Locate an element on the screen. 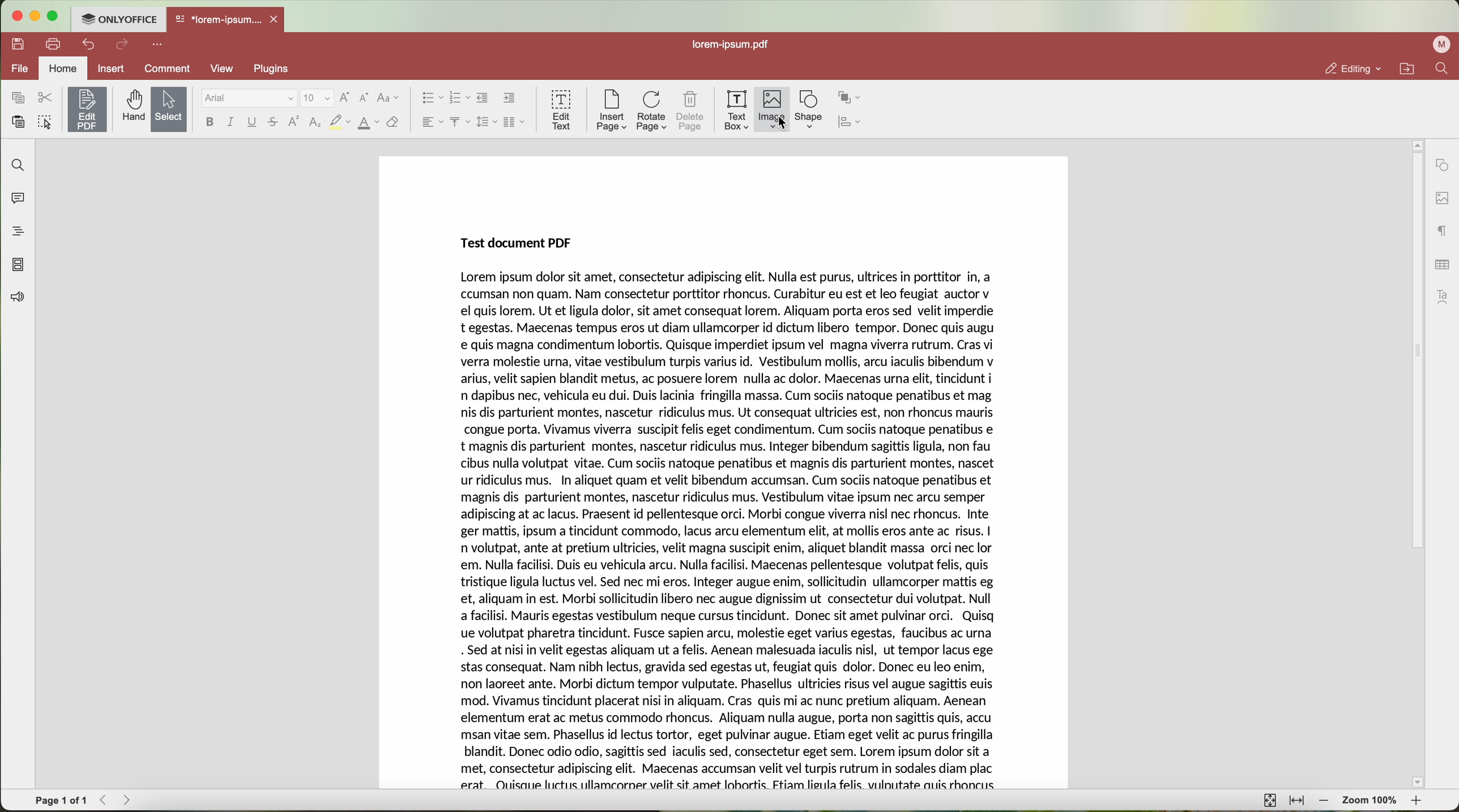  strikeout is located at coordinates (274, 123).